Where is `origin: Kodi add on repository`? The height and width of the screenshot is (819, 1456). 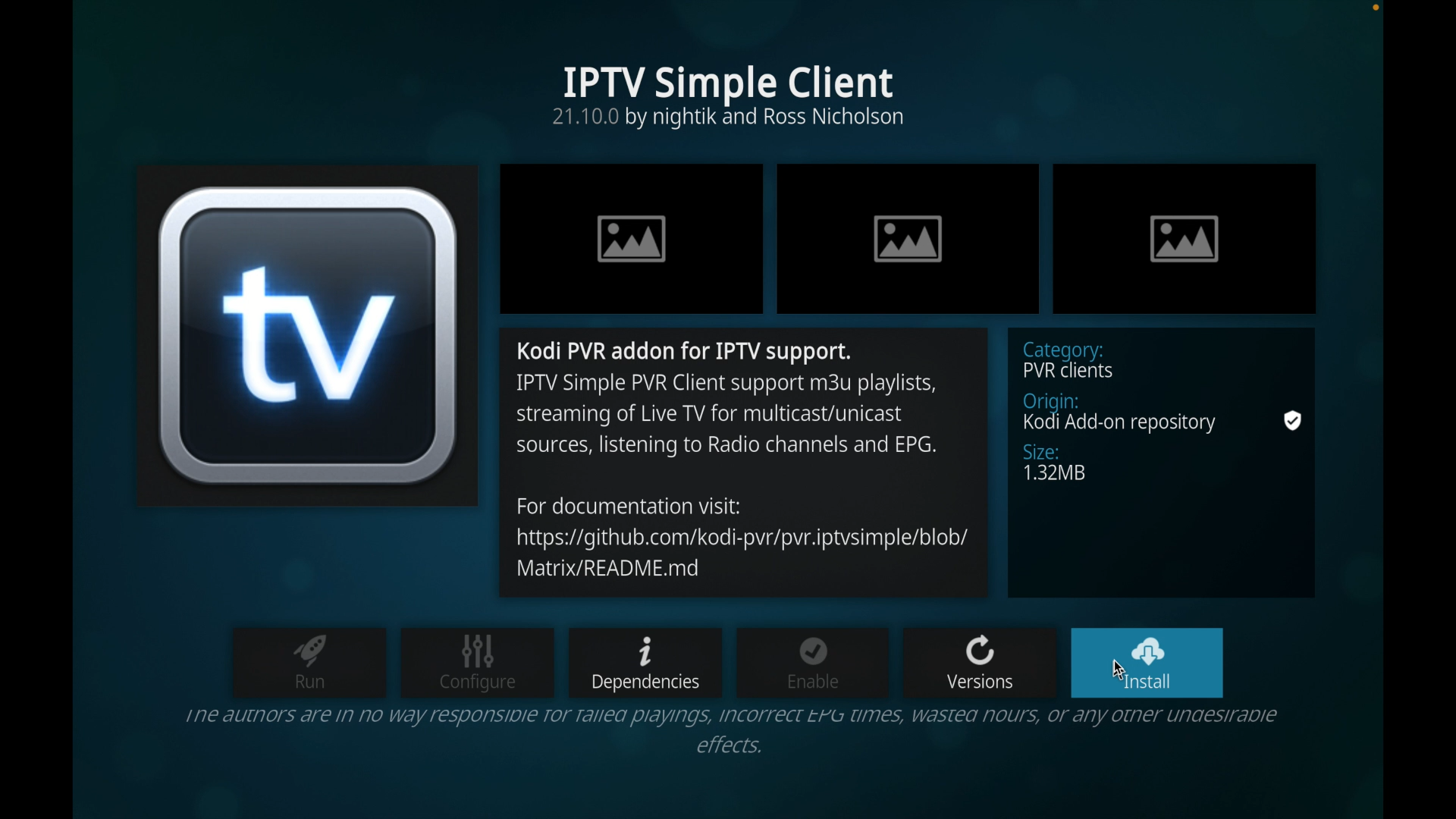
origin: Kodi add on repository is located at coordinates (1136, 411).